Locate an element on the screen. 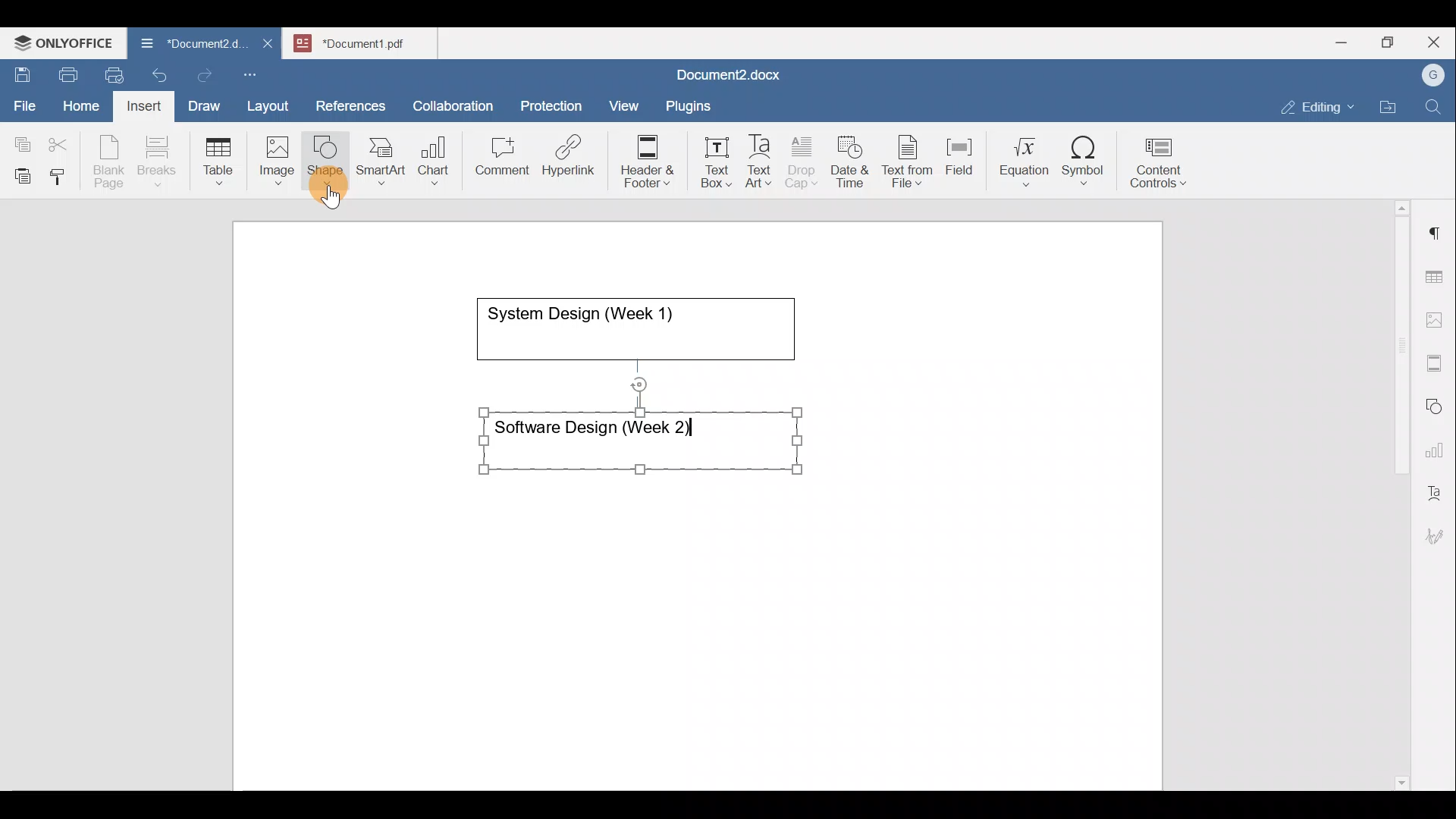 This screenshot has width=1456, height=819. Table is located at coordinates (219, 158).